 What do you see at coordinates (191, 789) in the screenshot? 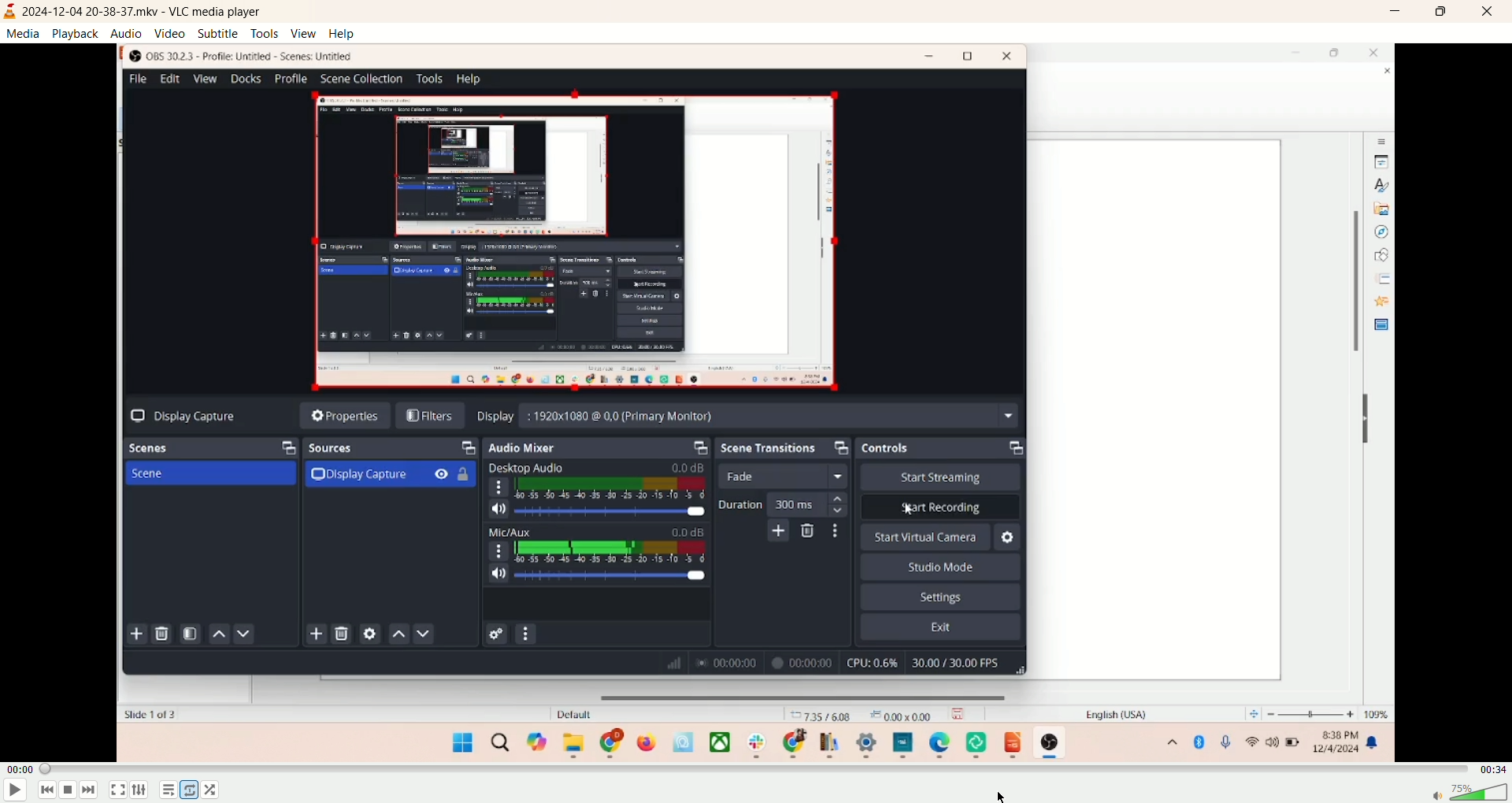
I see `toggle loop none` at bounding box center [191, 789].